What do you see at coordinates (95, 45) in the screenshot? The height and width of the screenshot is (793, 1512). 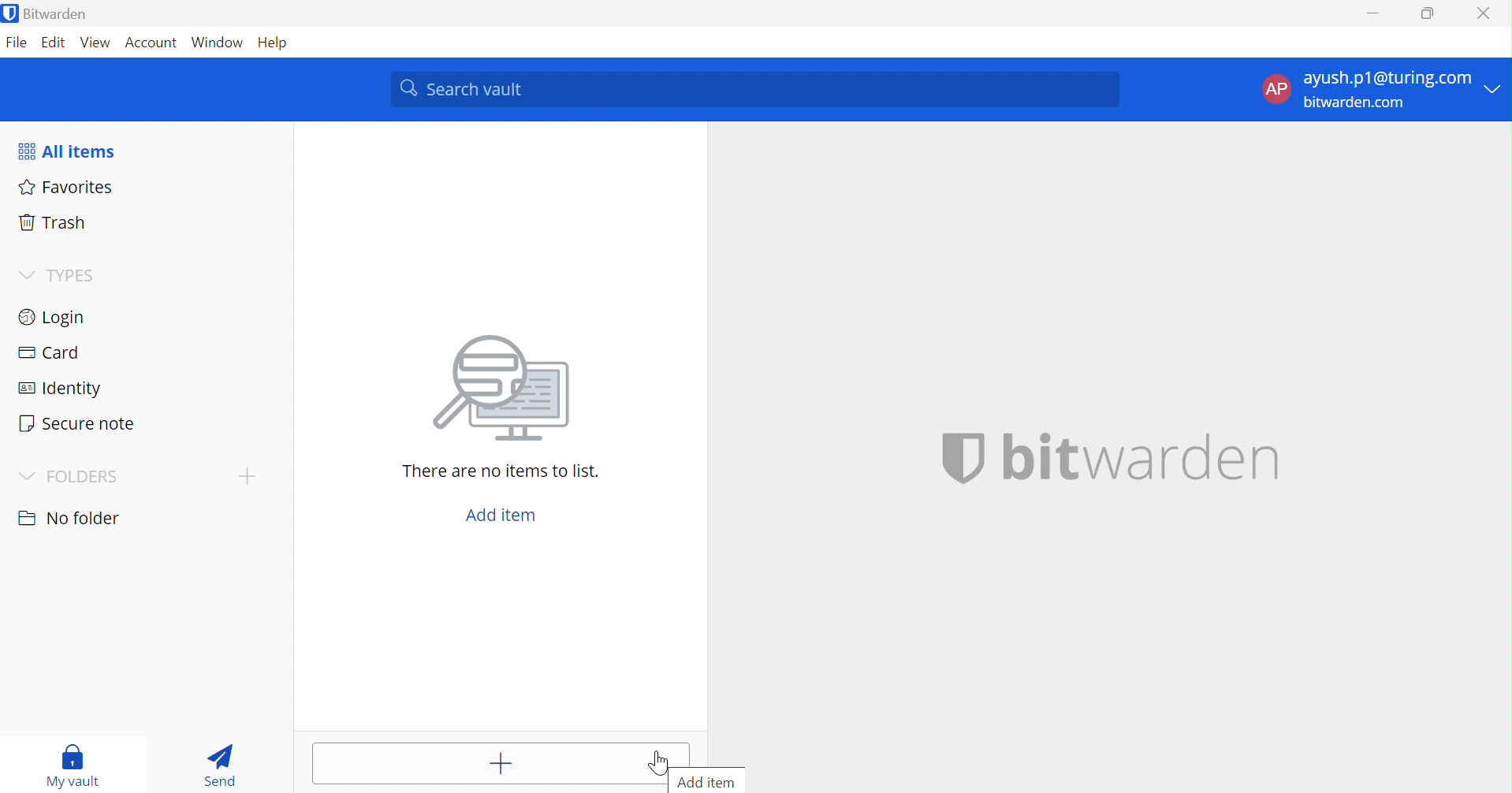 I see `View` at bounding box center [95, 45].